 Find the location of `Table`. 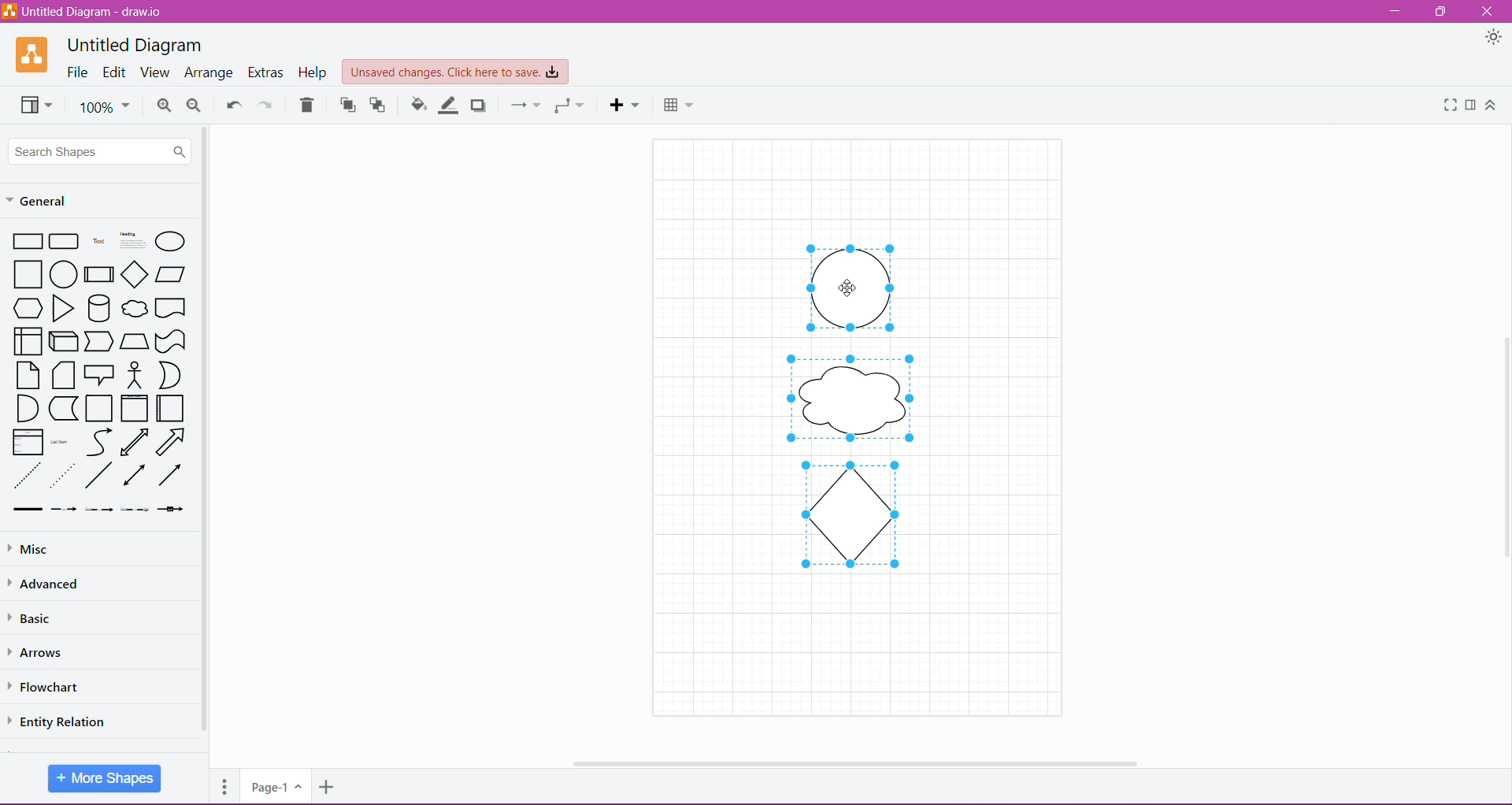

Table is located at coordinates (678, 103).